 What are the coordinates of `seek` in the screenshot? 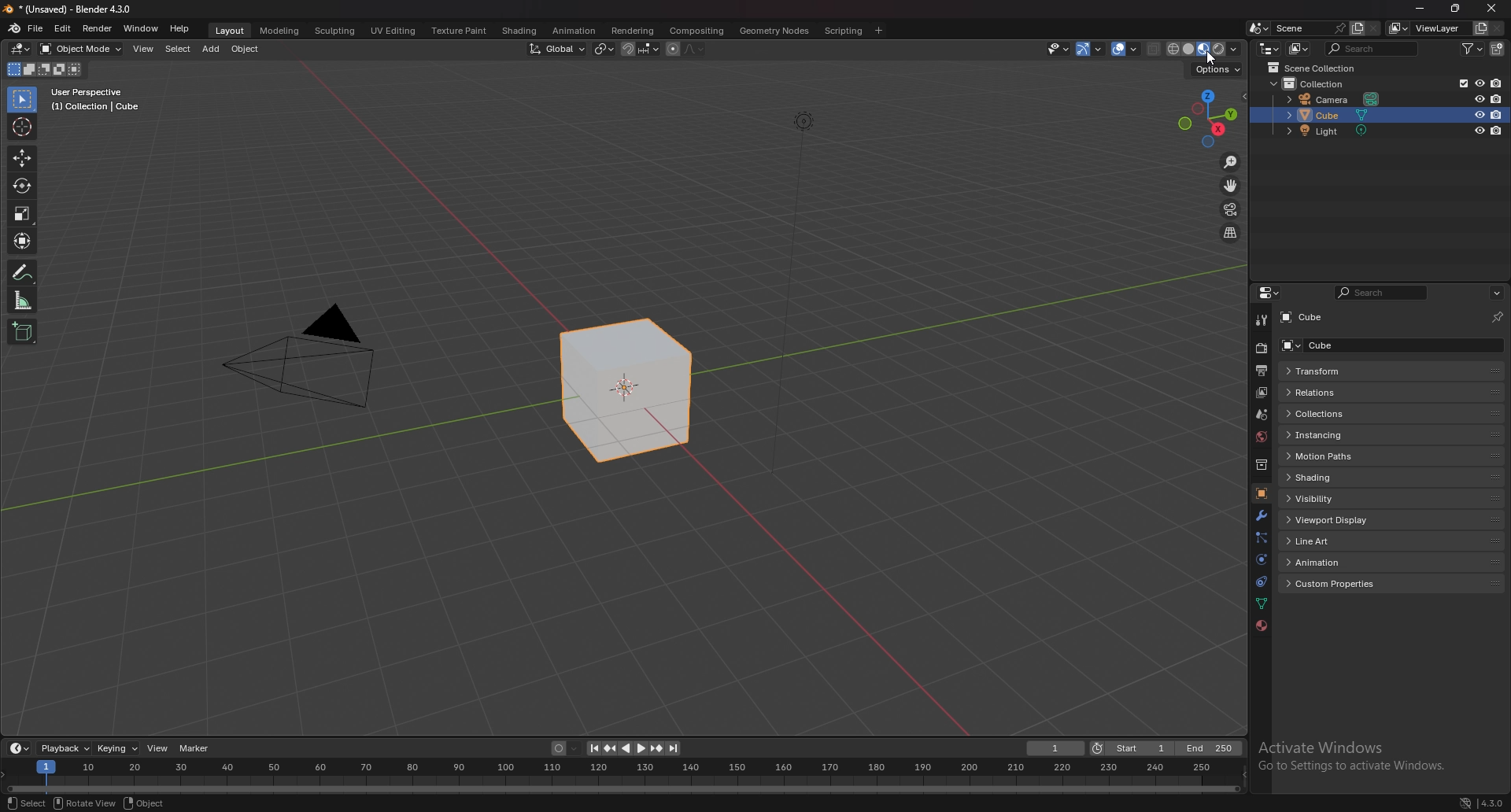 It's located at (626, 778).